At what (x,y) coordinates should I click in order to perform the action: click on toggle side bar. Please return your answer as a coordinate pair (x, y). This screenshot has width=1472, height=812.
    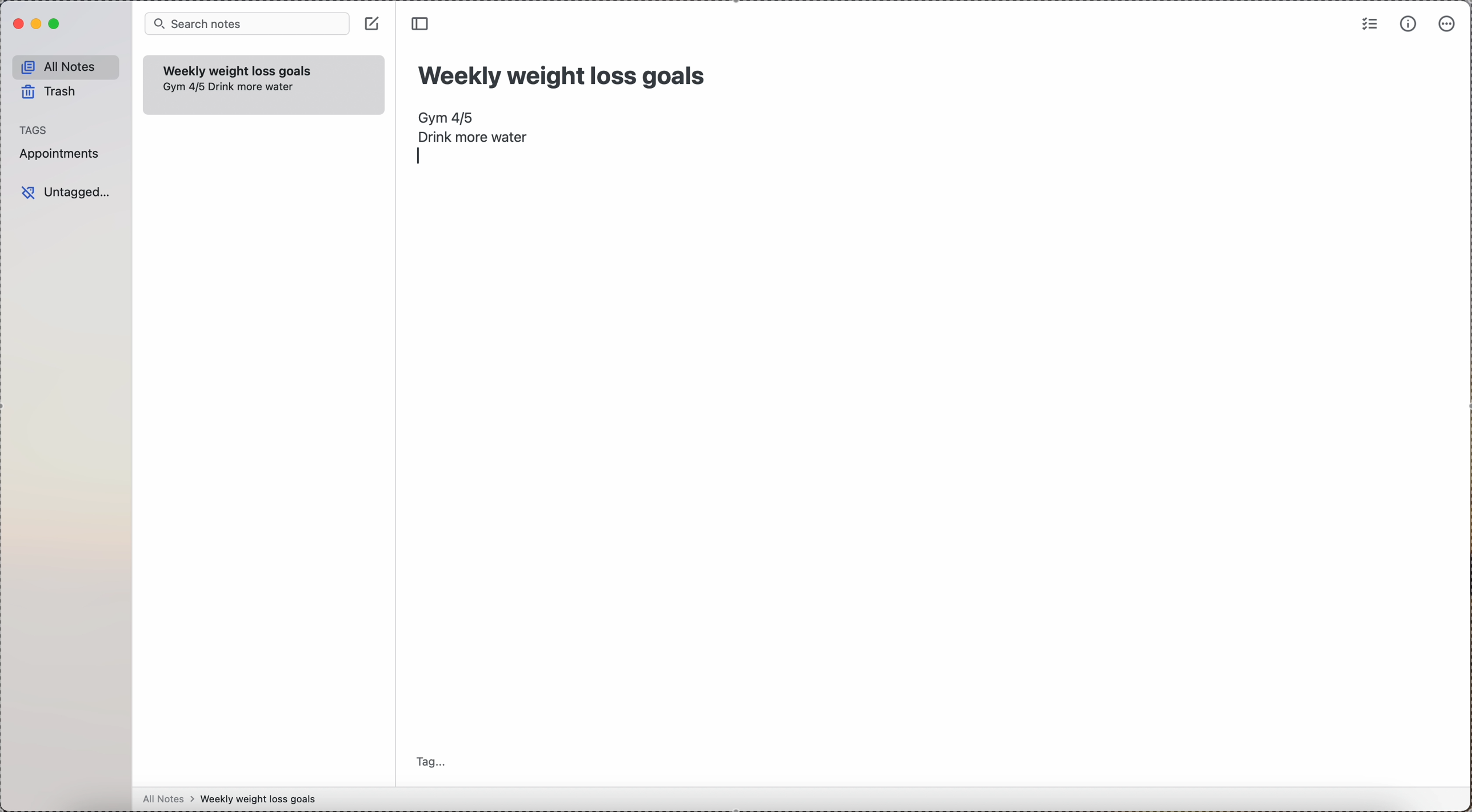
    Looking at the image, I should click on (423, 24).